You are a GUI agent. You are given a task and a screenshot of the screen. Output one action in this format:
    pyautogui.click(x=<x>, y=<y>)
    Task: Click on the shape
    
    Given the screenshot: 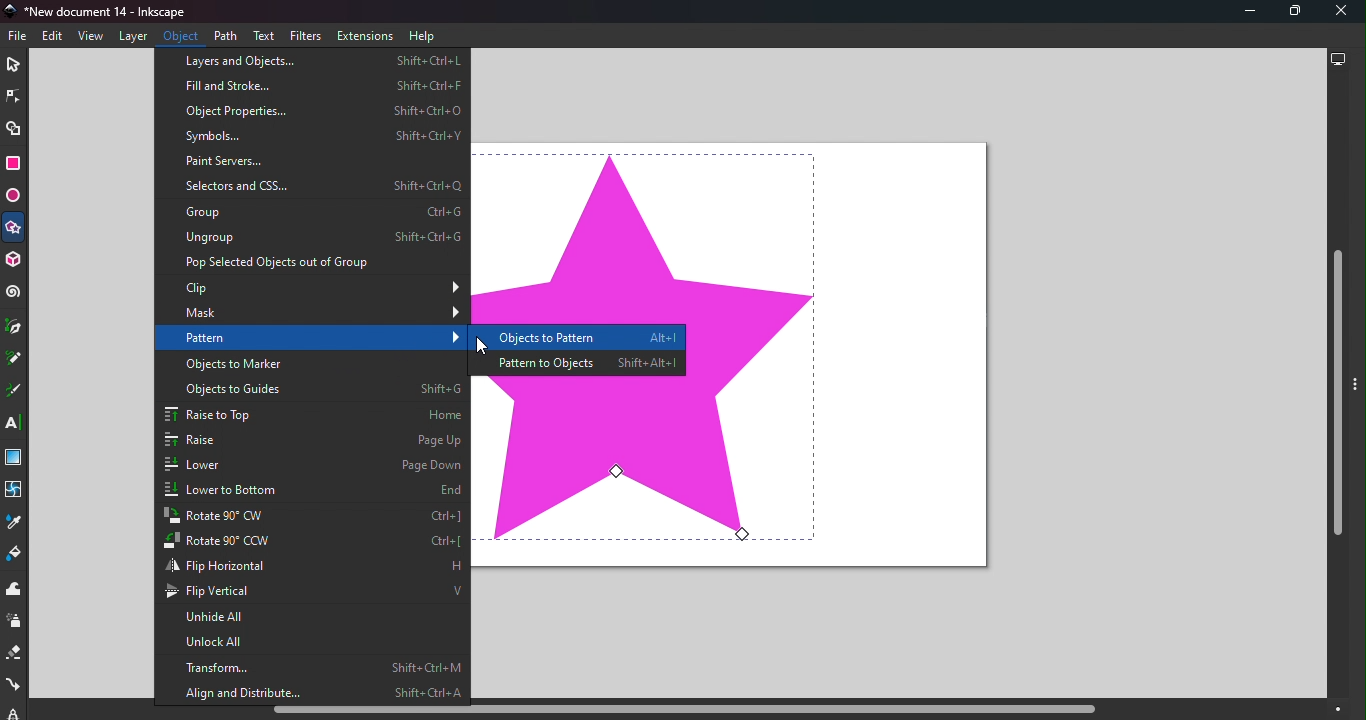 What is the action you would take?
    pyautogui.click(x=642, y=240)
    